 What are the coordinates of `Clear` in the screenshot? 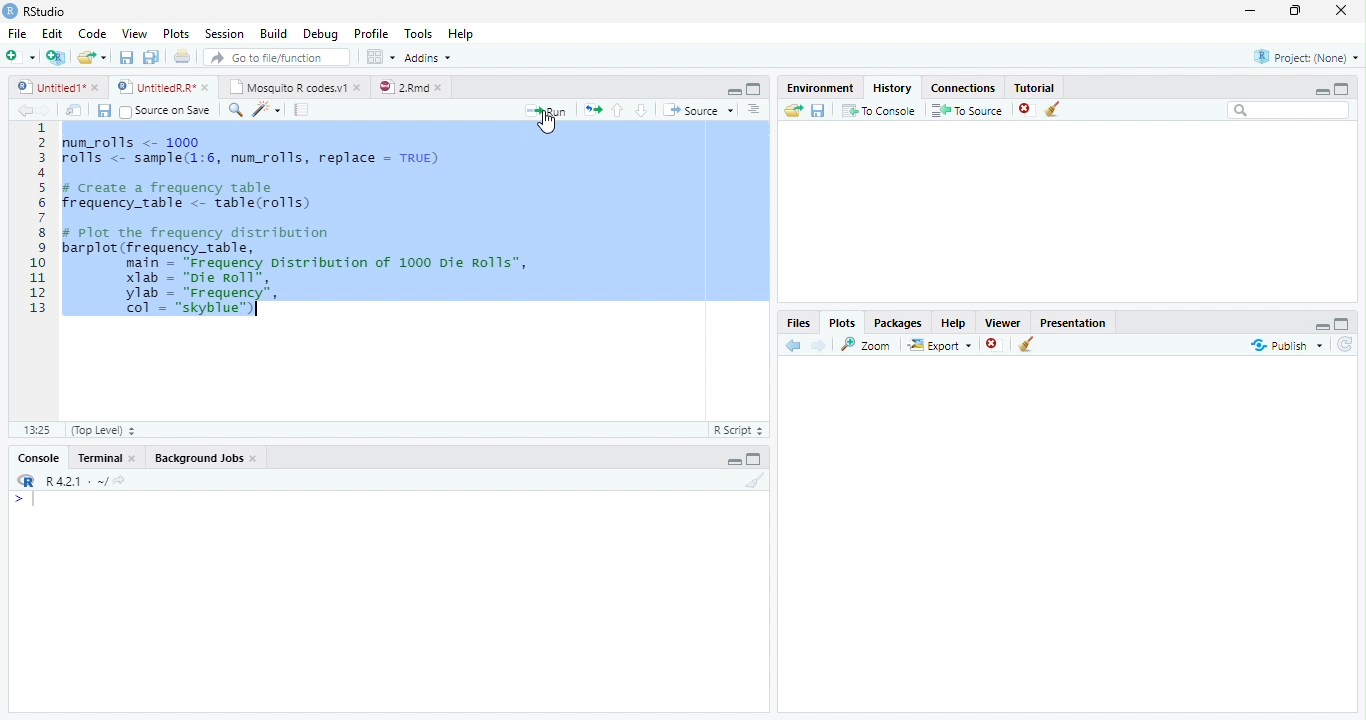 It's located at (1026, 344).